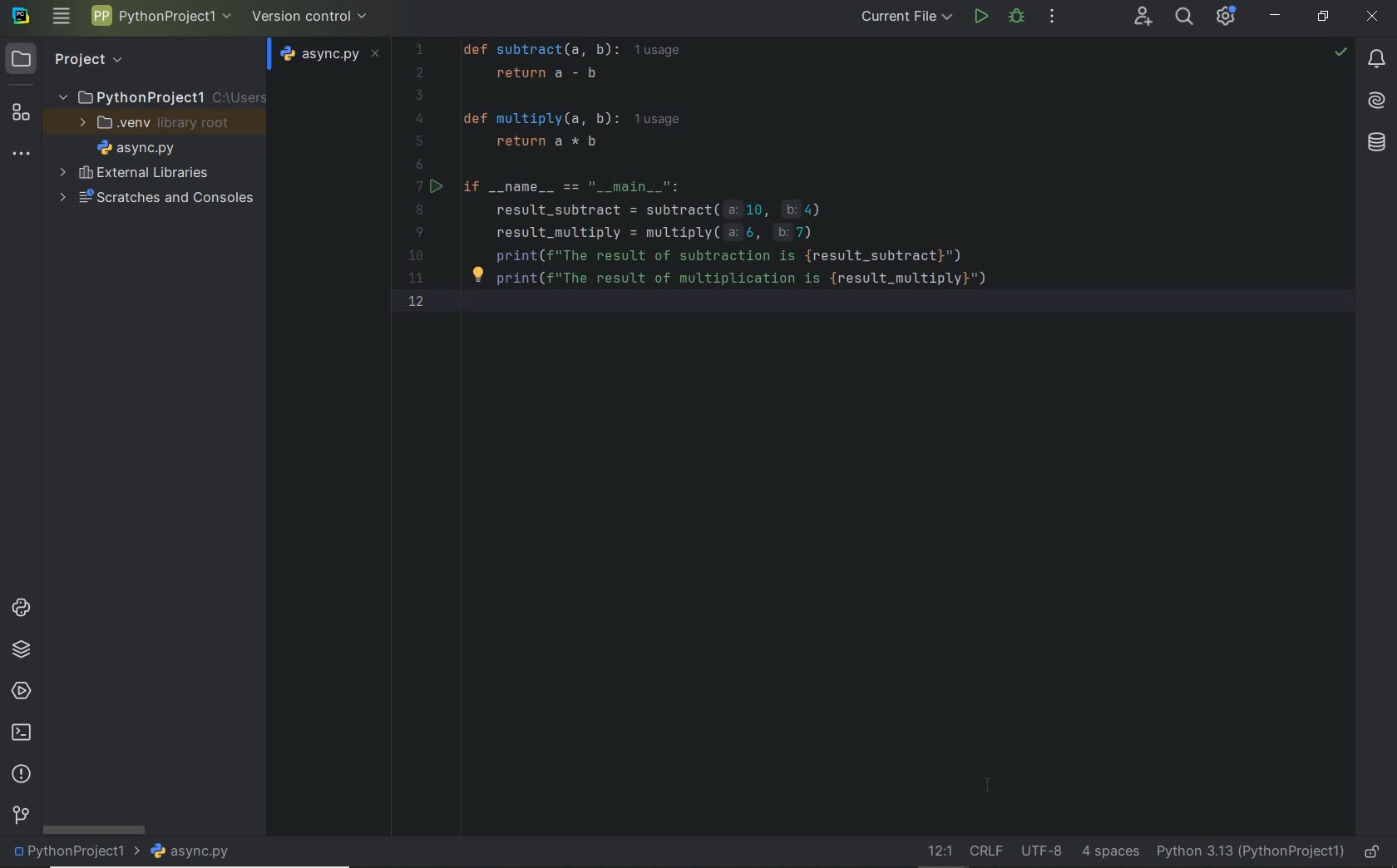 Image resolution: width=1397 pixels, height=868 pixels. Describe the element at coordinates (985, 851) in the screenshot. I see `Line separator` at that location.